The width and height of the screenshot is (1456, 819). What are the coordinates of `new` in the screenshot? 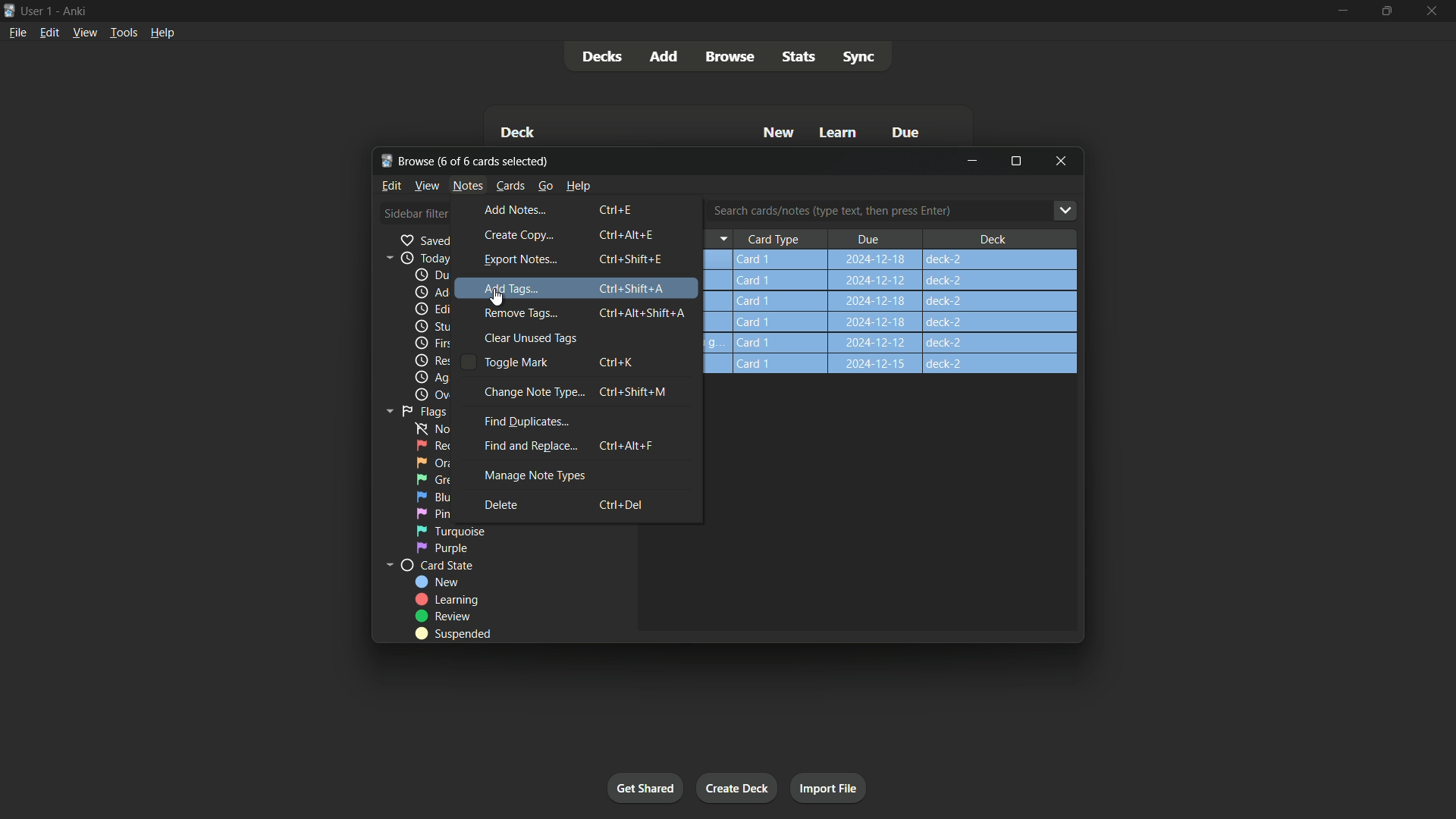 It's located at (438, 583).